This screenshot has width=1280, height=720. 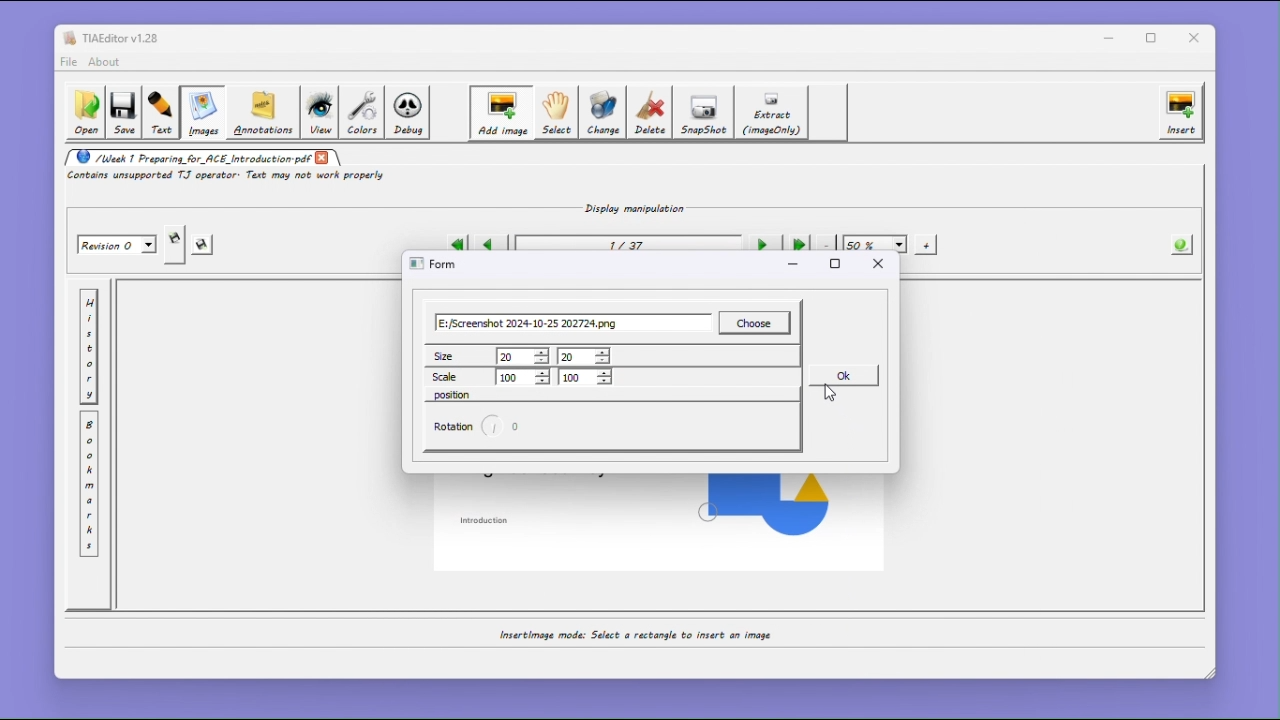 What do you see at coordinates (773, 113) in the screenshot?
I see `Extract (image only)` at bounding box center [773, 113].